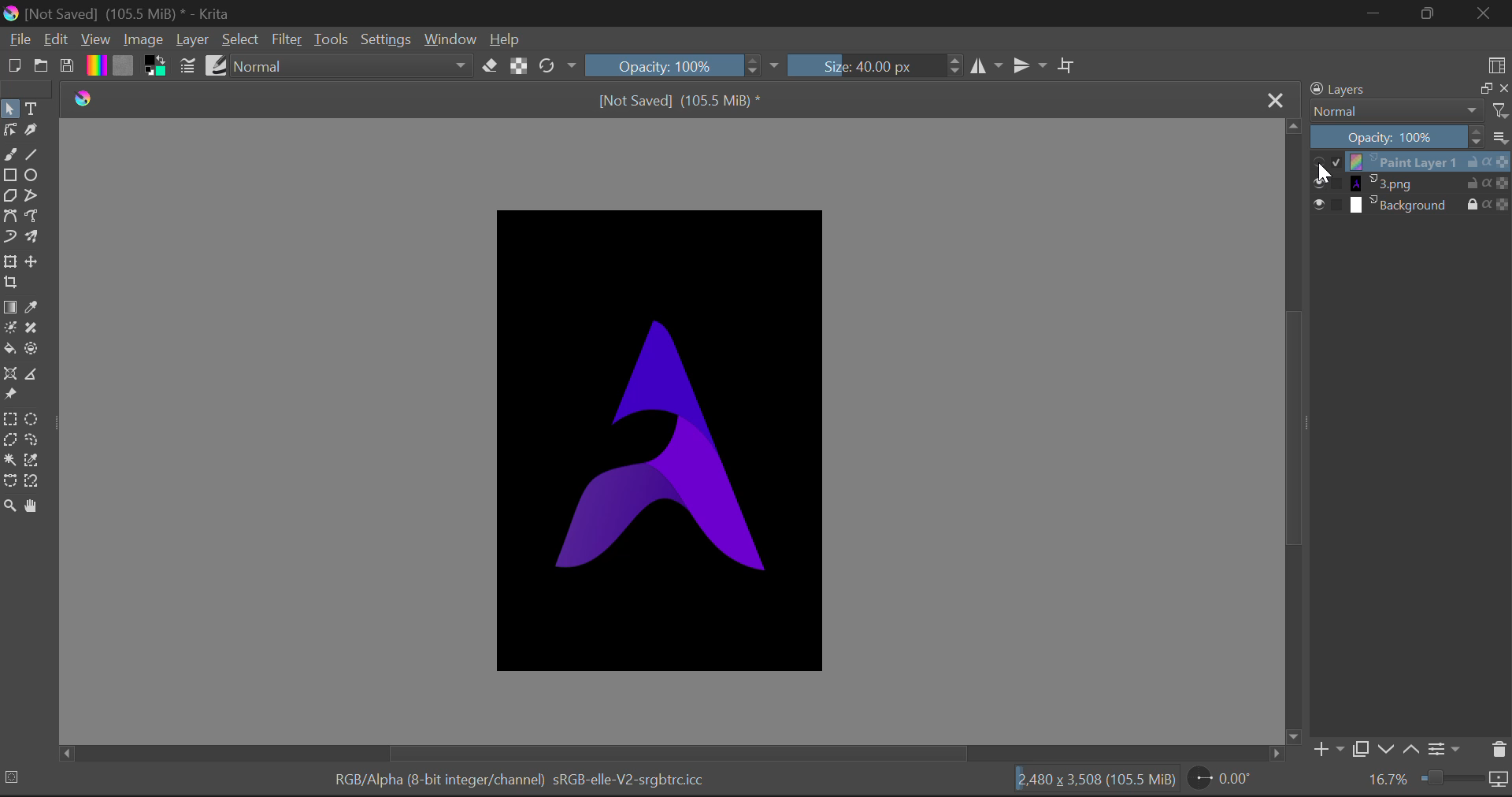  Describe the element at coordinates (1027, 65) in the screenshot. I see `Horizontal Mirror Flip` at that location.